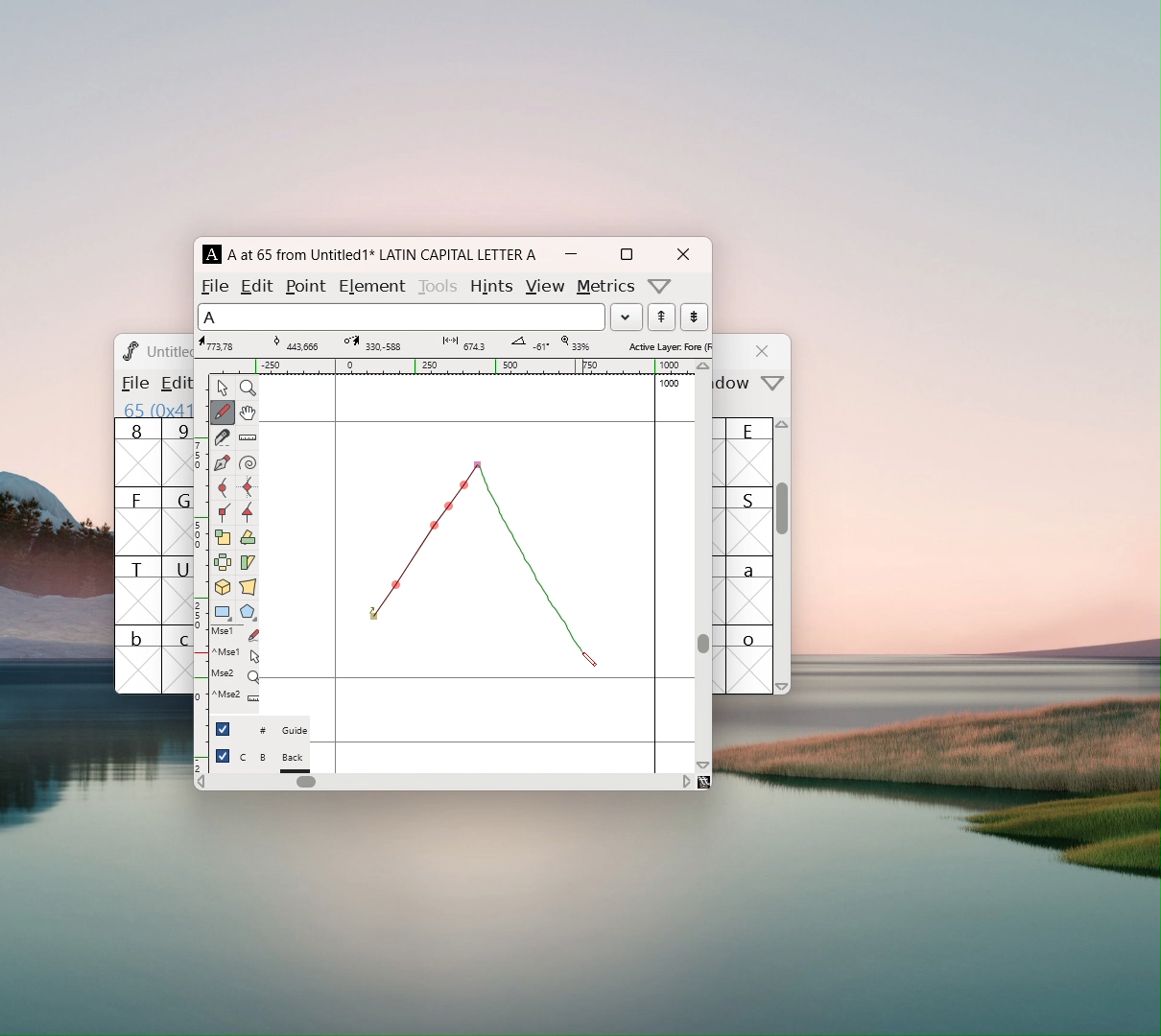 The height and width of the screenshot is (1036, 1161). Describe the element at coordinates (626, 254) in the screenshot. I see `maximize` at that location.